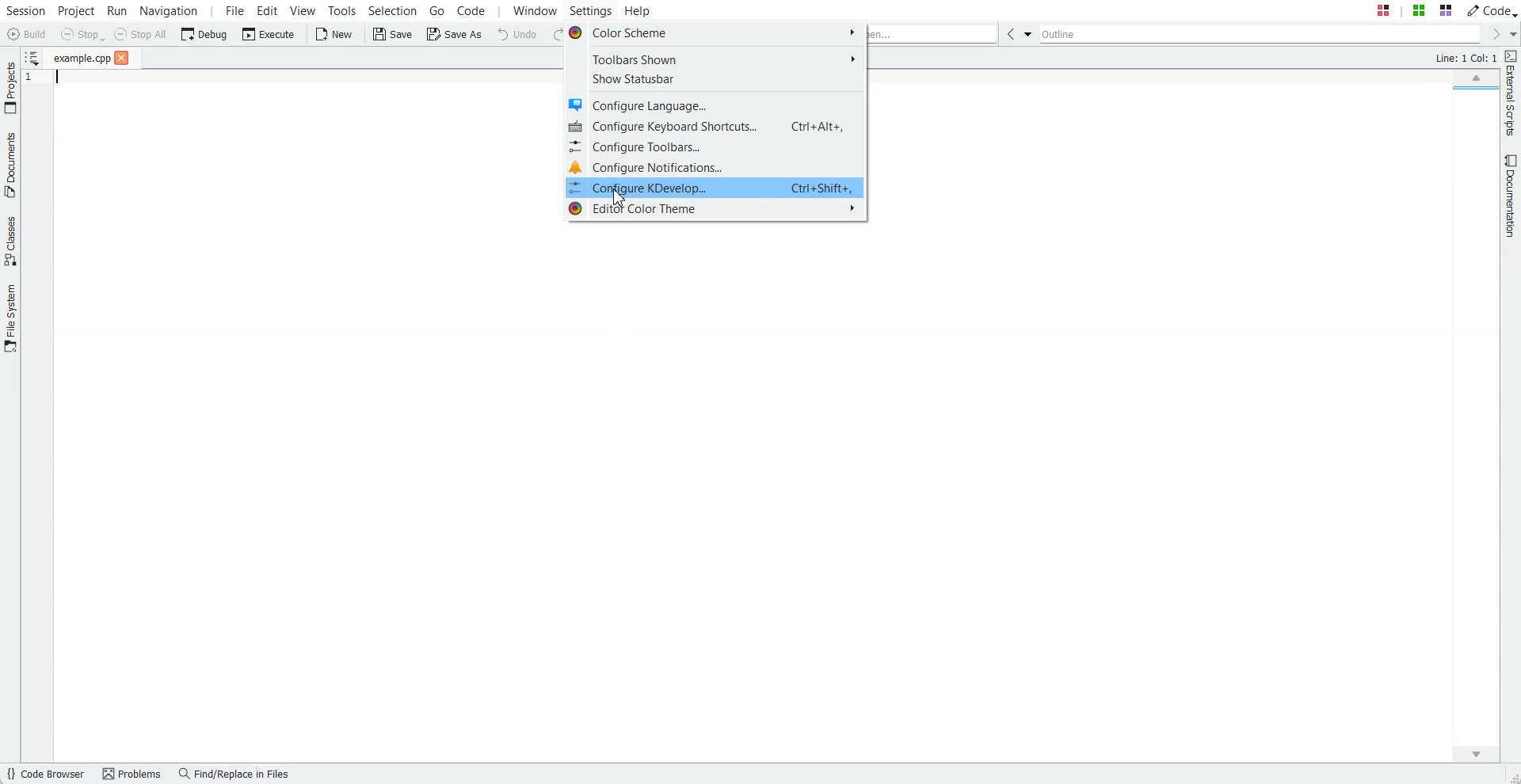  I want to click on Tools, so click(341, 10).